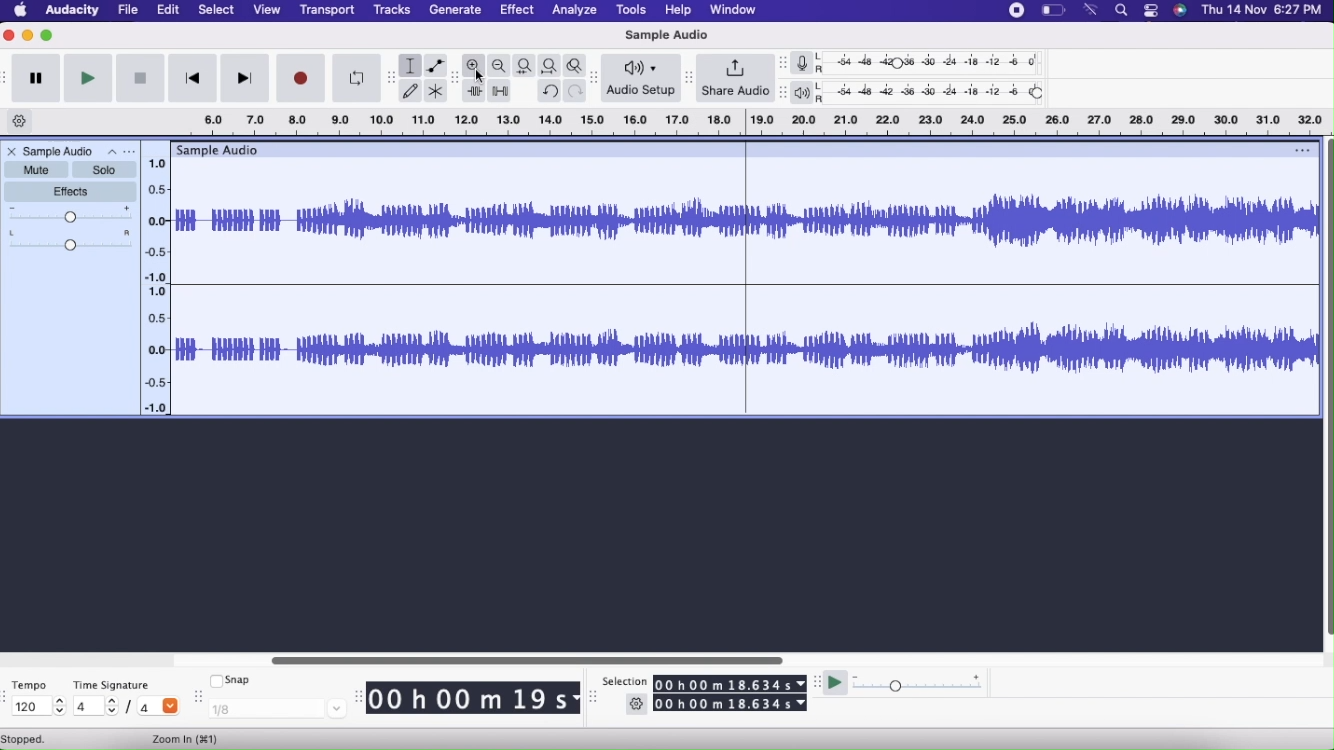 The height and width of the screenshot is (750, 1334). Describe the element at coordinates (524, 65) in the screenshot. I see `Fit selection to width` at that location.